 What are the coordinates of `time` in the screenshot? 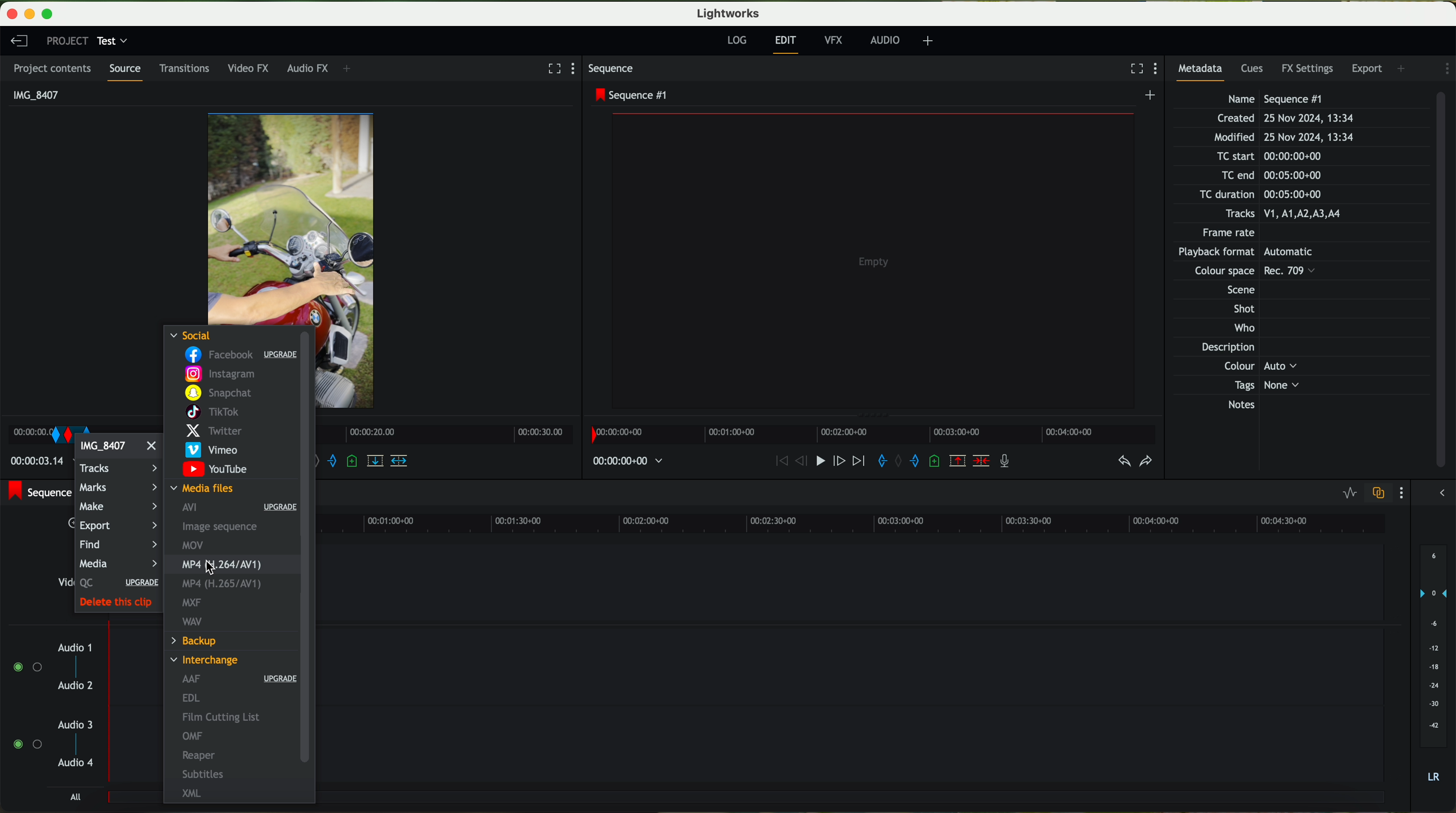 It's located at (33, 464).